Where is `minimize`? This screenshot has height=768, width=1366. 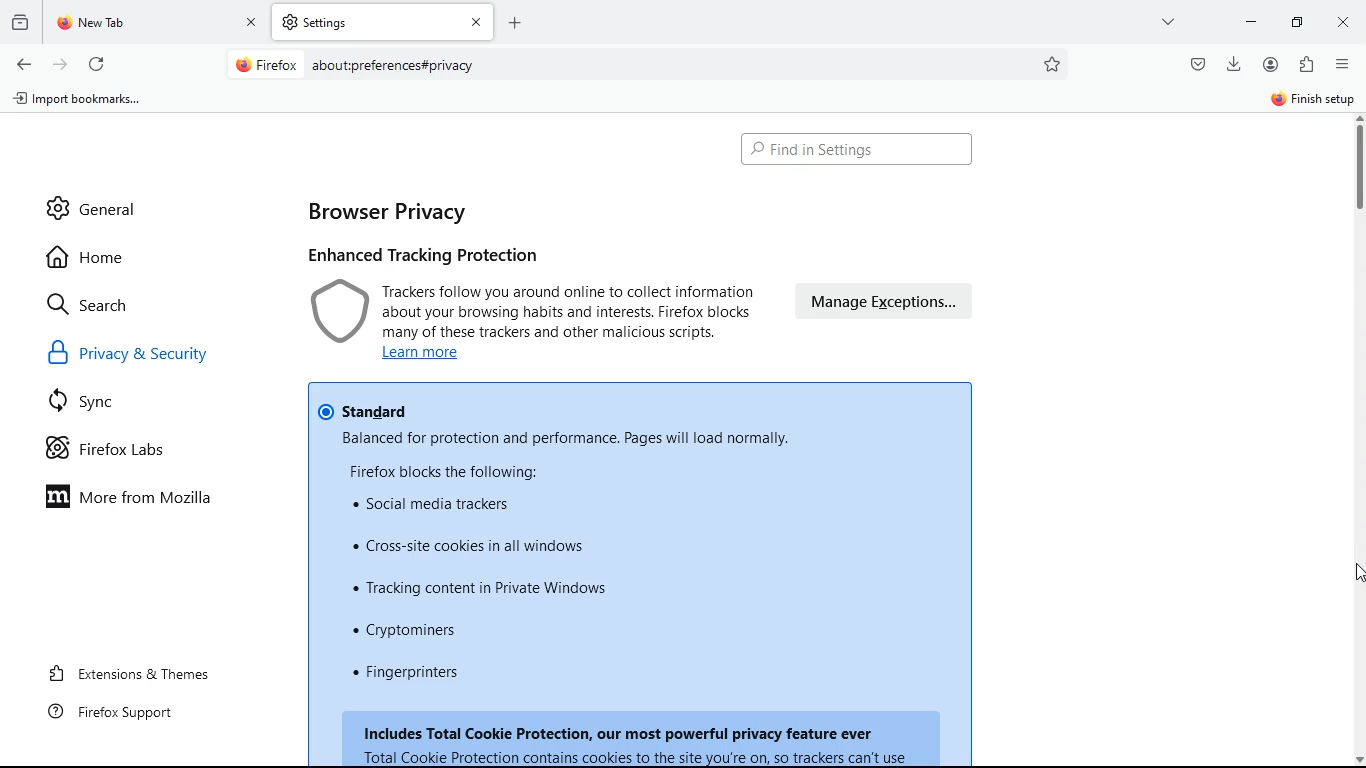
minimize is located at coordinates (1302, 21).